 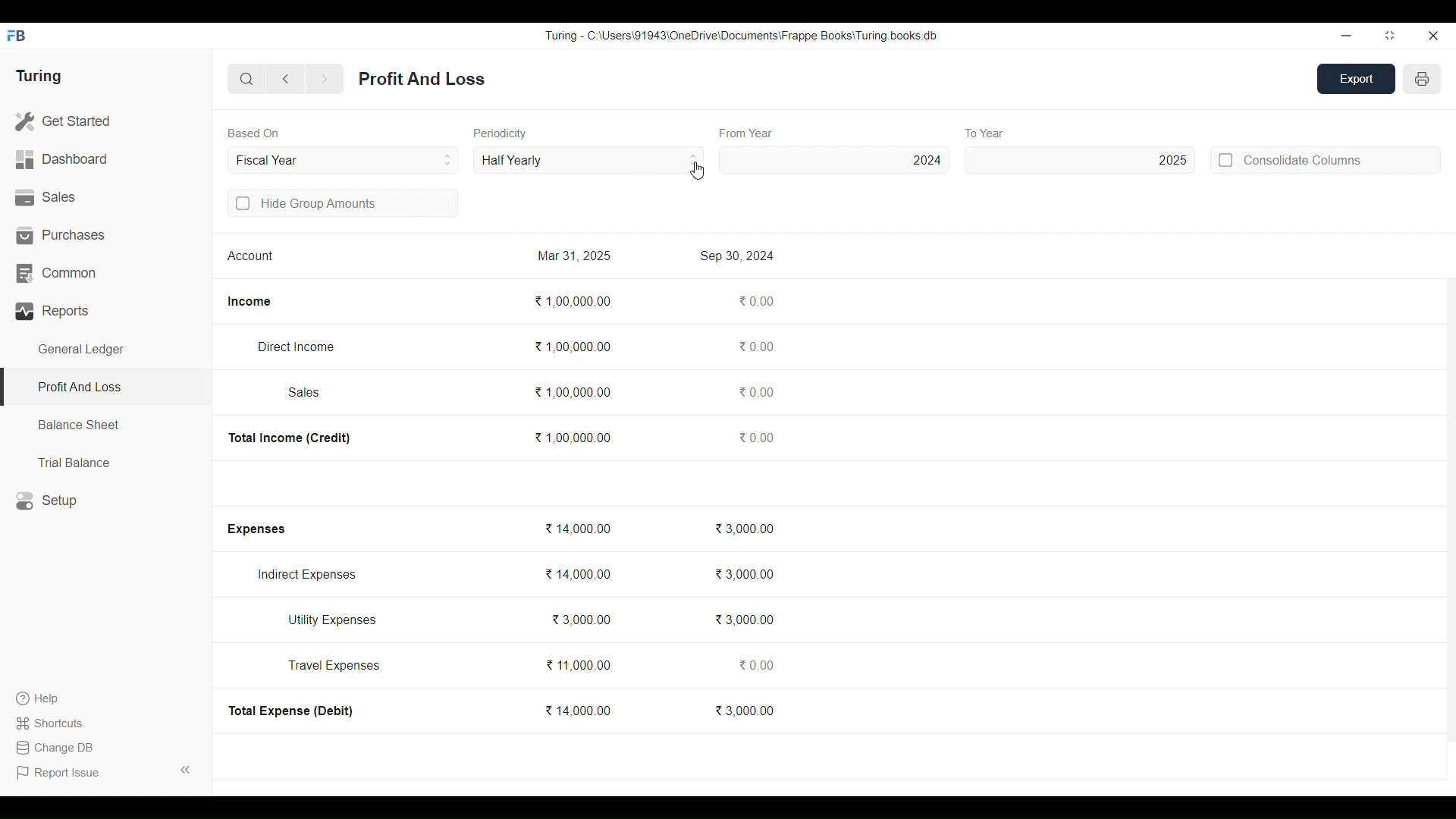 I want to click on Common, so click(x=105, y=274).